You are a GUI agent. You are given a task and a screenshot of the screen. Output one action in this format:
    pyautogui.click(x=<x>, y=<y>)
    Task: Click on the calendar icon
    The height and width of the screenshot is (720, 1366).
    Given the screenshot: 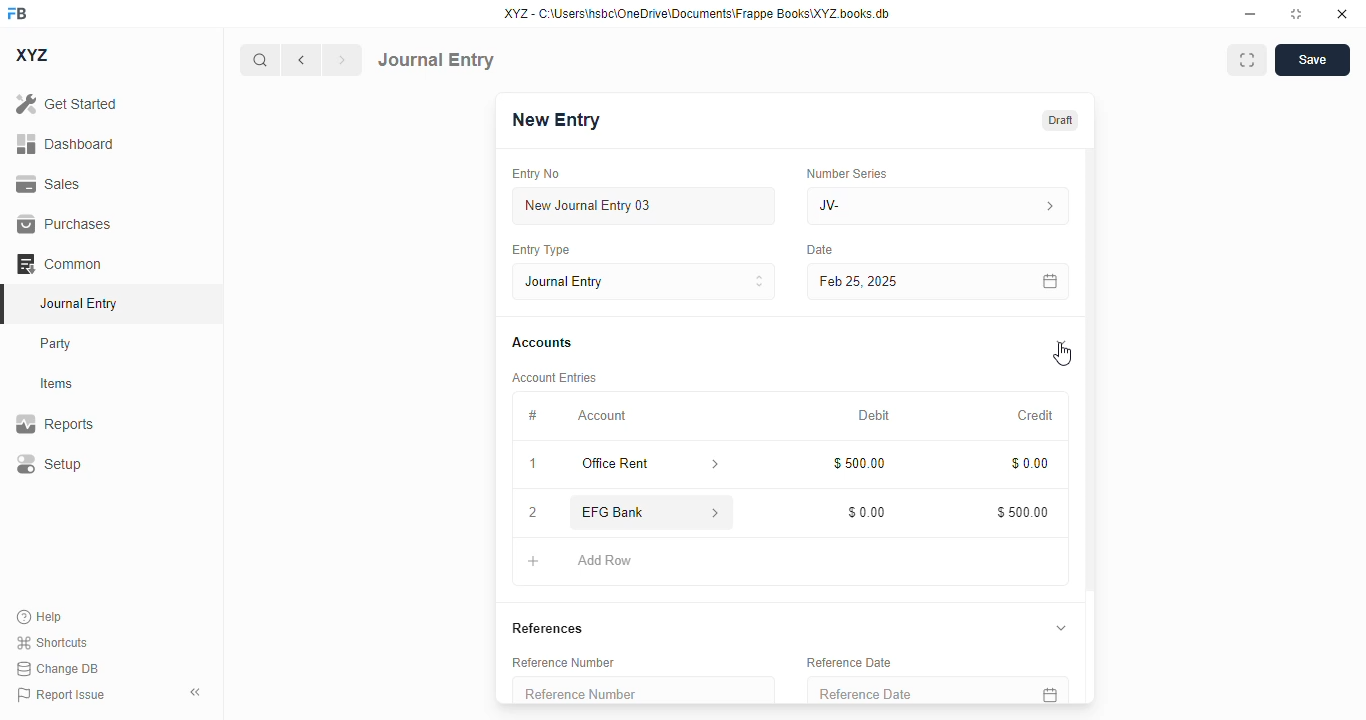 What is the action you would take?
    pyautogui.click(x=1048, y=690)
    